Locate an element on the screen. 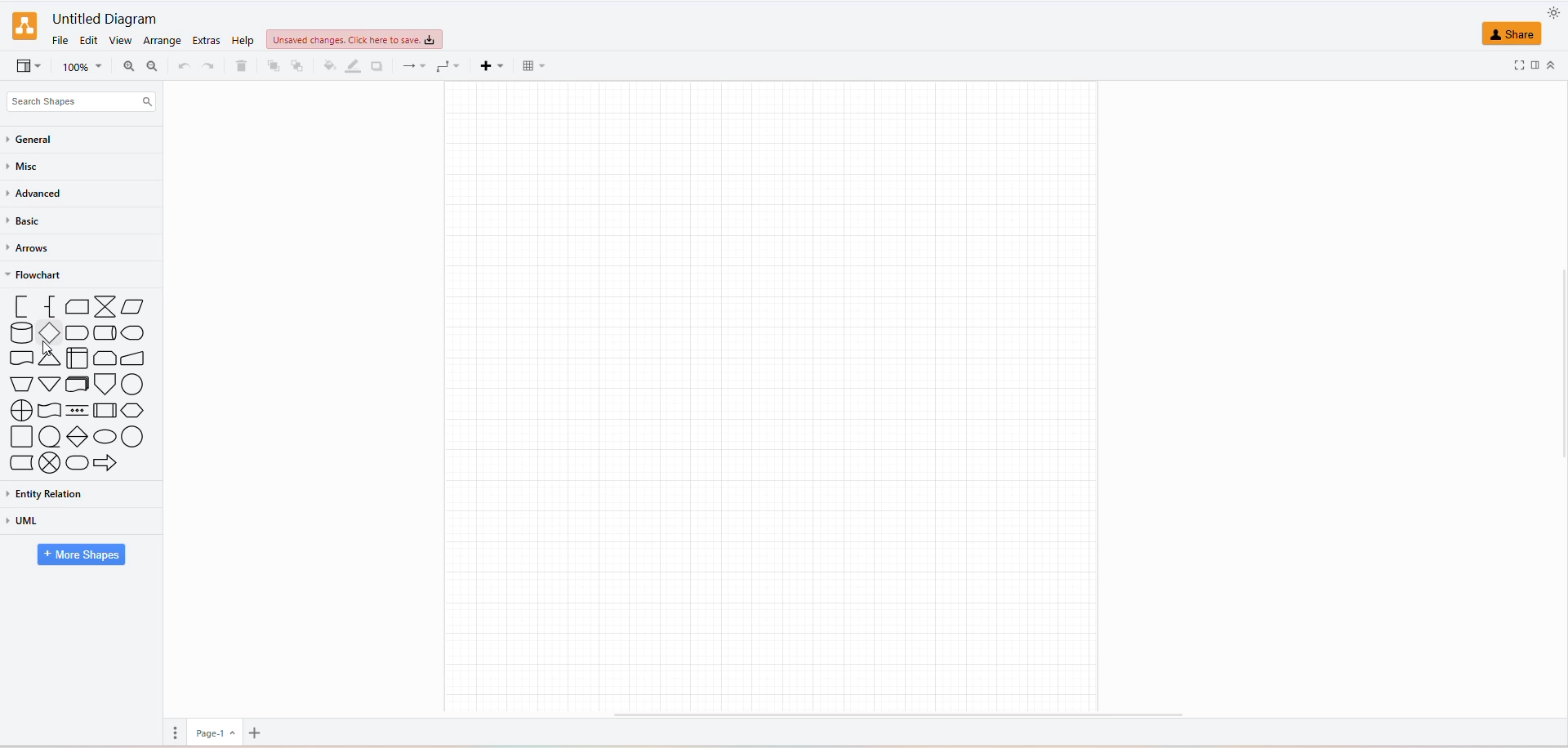 The width and height of the screenshot is (1568, 748). cursor is located at coordinates (51, 351).